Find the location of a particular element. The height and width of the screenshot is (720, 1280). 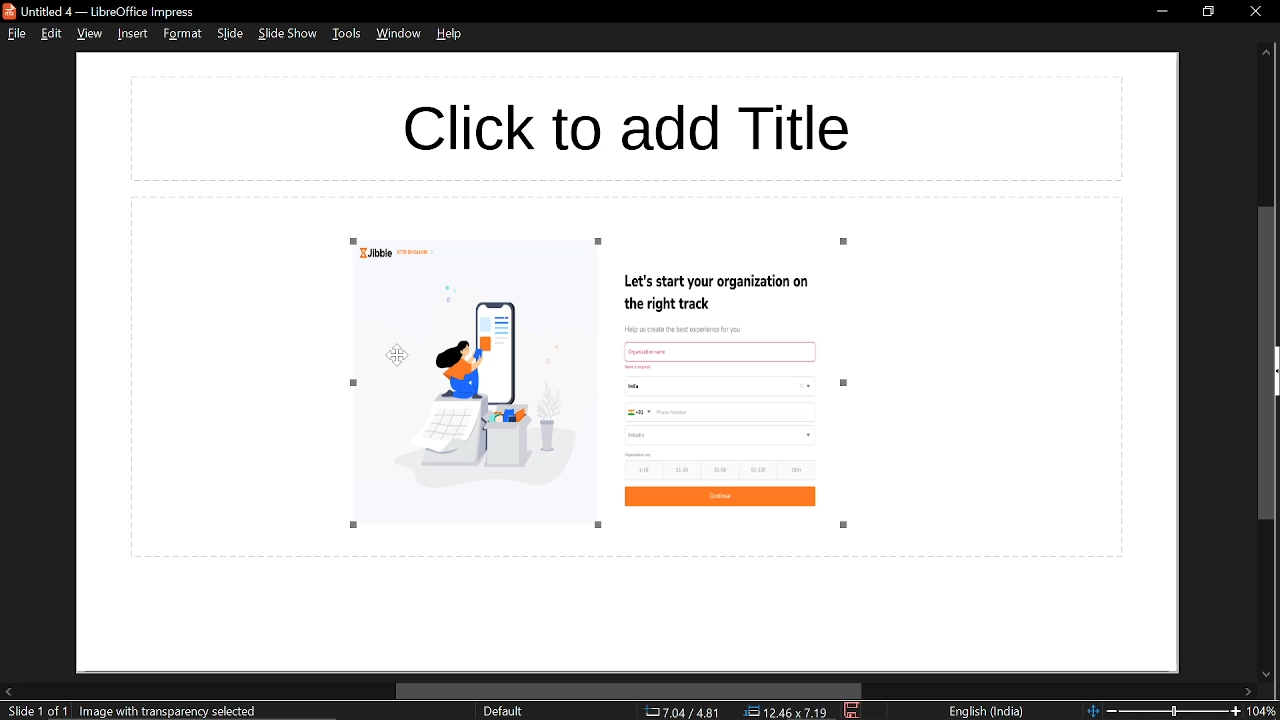

move left is located at coordinates (8, 692).